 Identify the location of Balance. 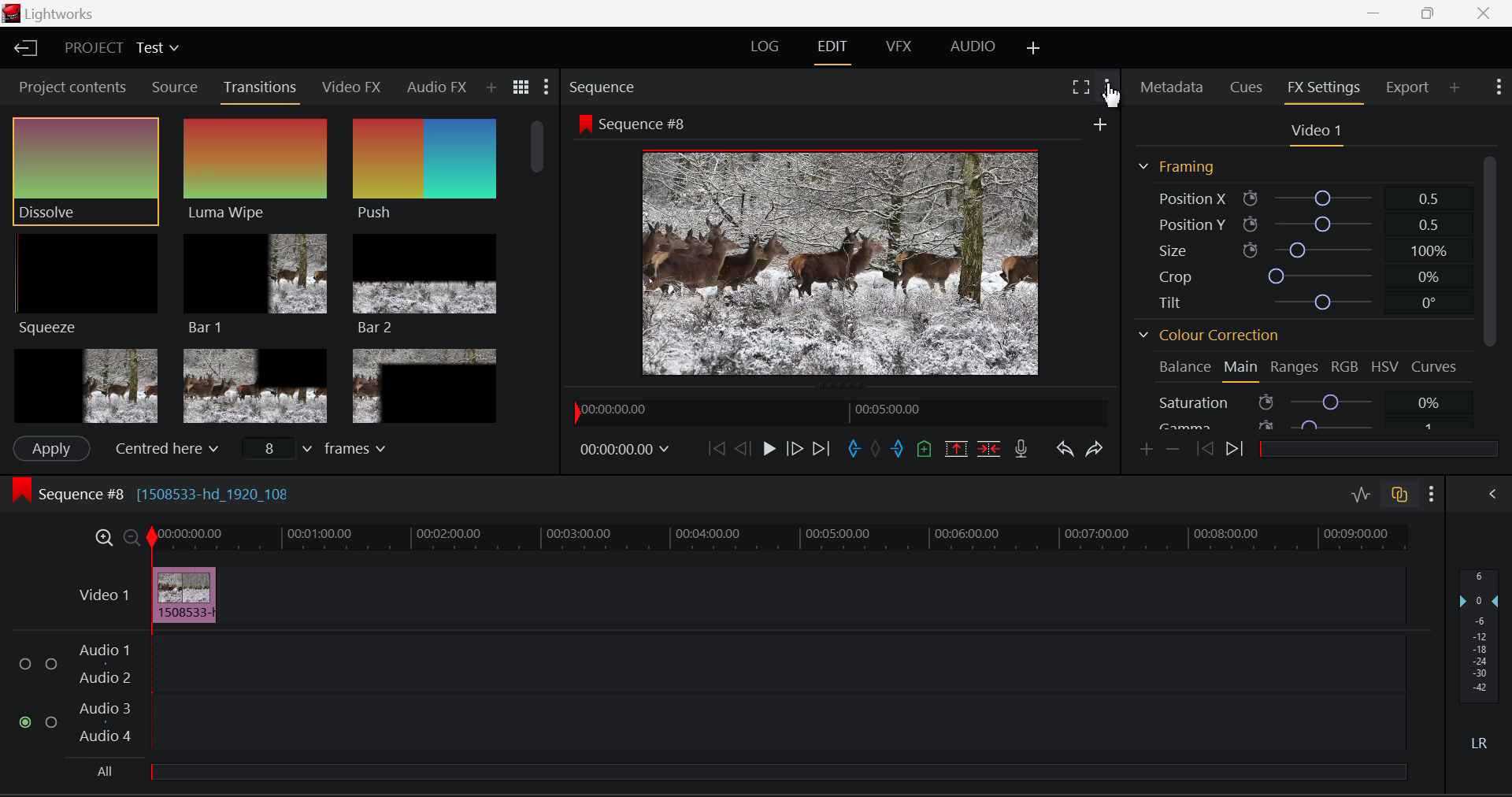
(1186, 367).